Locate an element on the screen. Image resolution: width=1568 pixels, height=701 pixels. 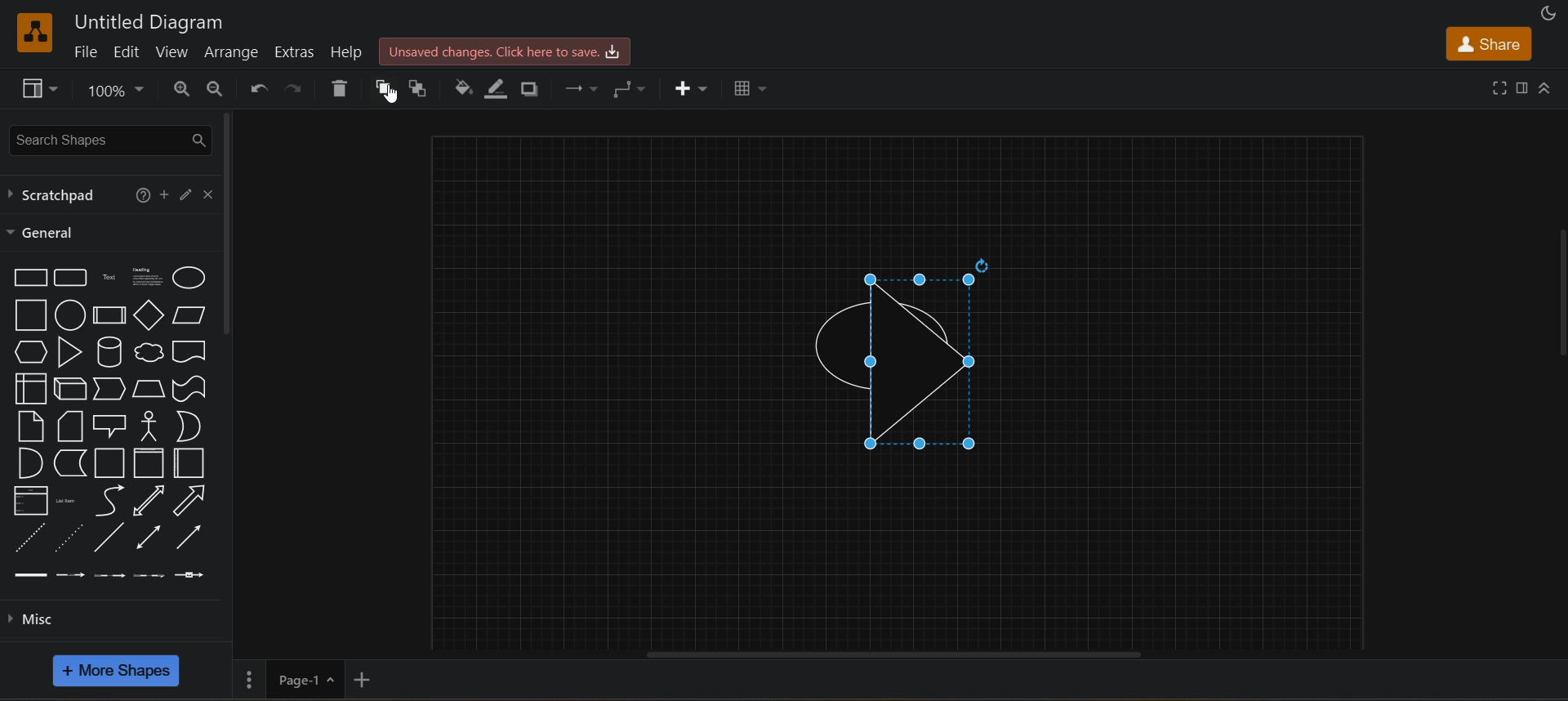
general is located at coordinates (45, 233).